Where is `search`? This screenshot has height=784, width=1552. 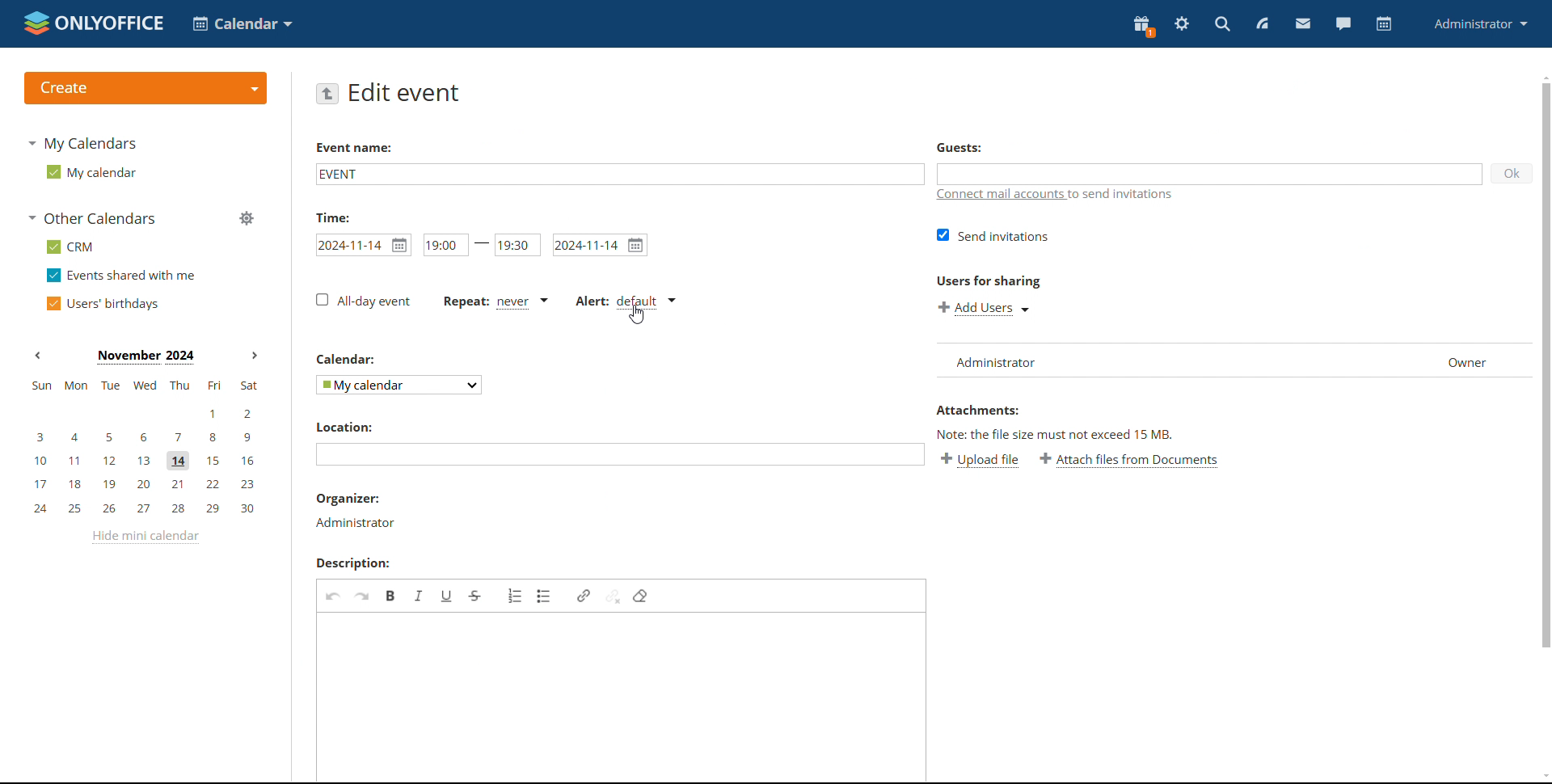 search is located at coordinates (1221, 23).